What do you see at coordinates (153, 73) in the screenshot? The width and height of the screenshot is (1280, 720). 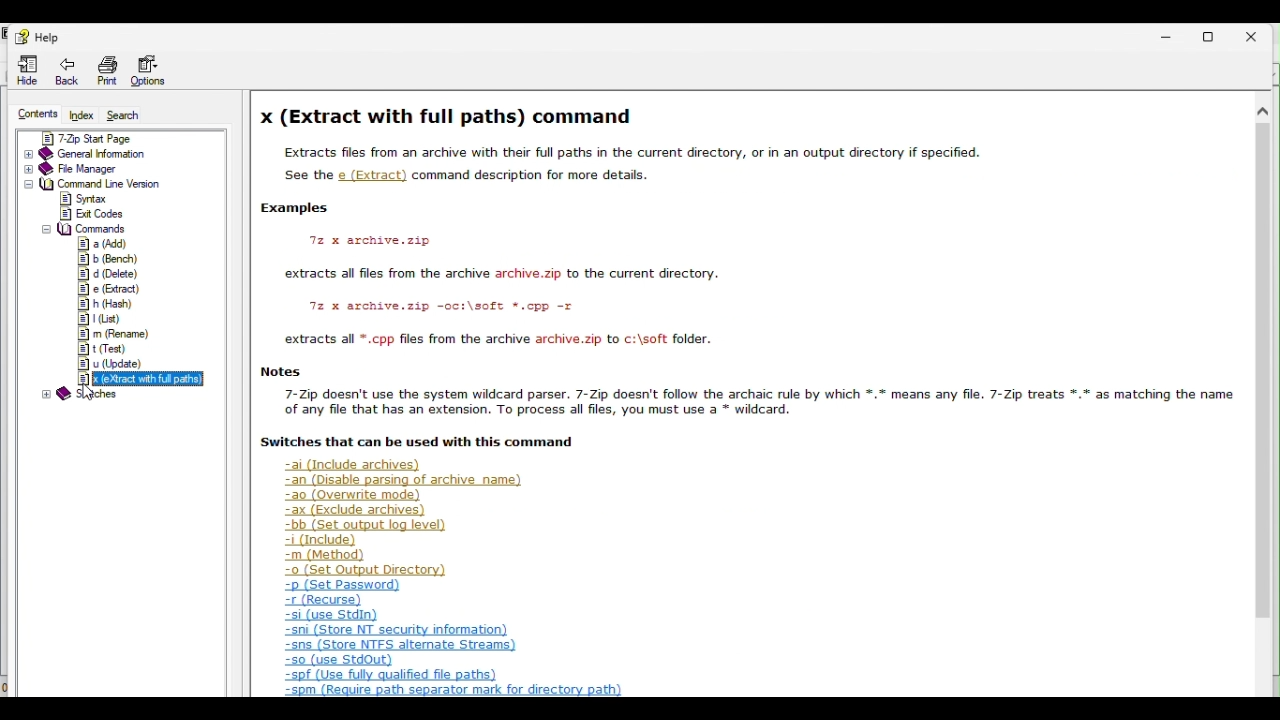 I see `Options` at bounding box center [153, 73].